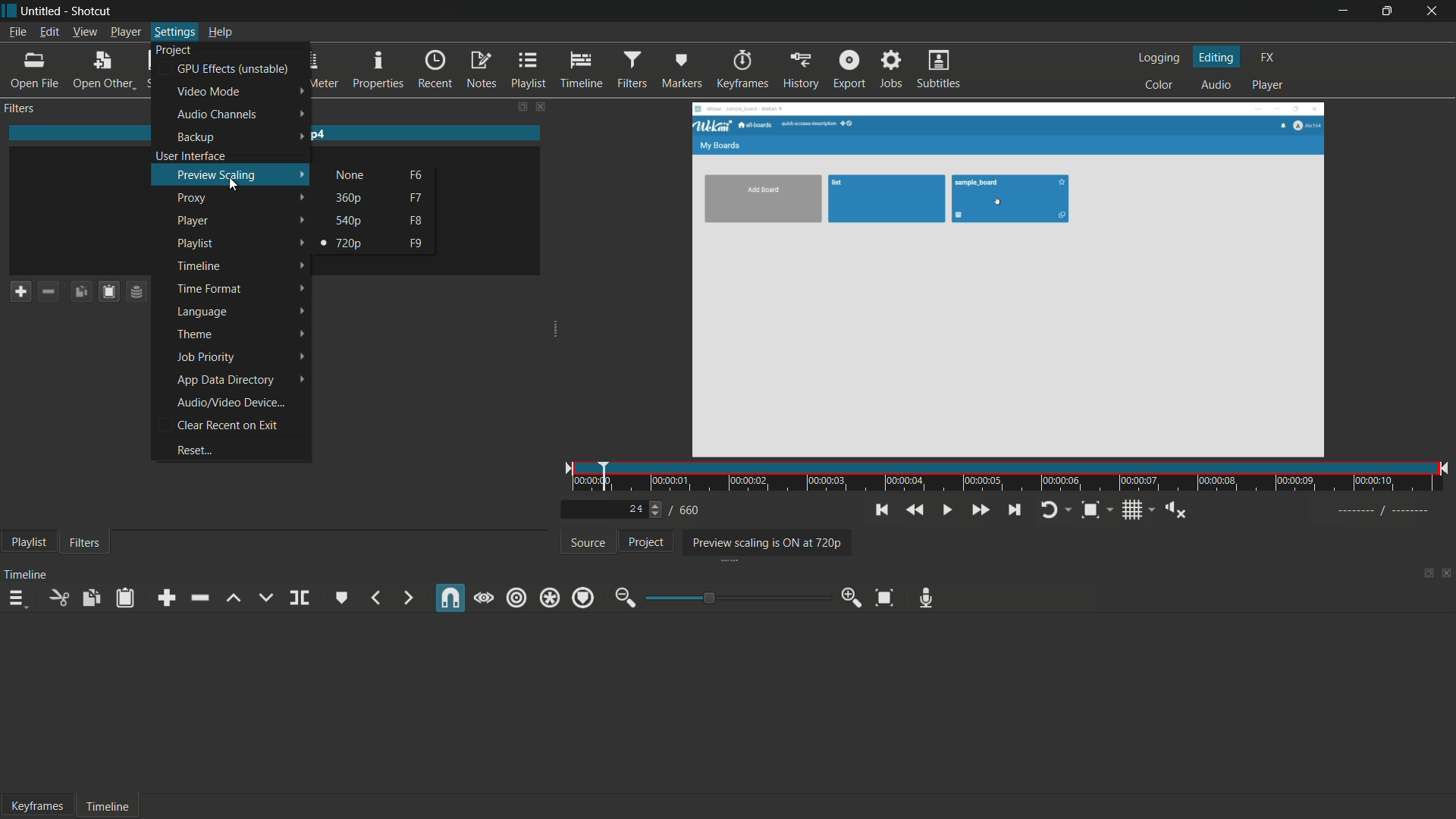  Describe the element at coordinates (1434, 11) in the screenshot. I see `close app` at that location.